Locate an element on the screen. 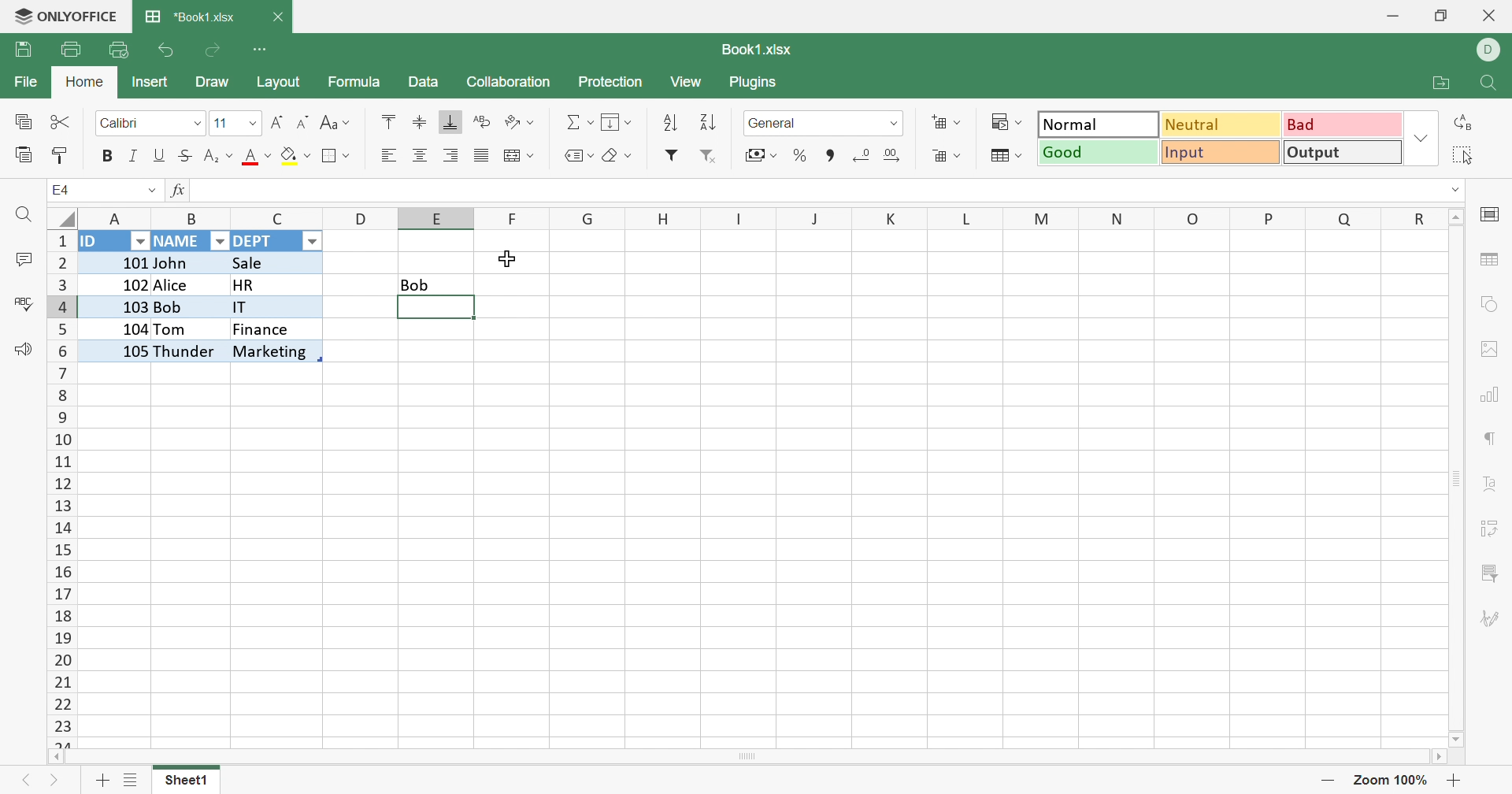  Zoom out is located at coordinates (1330, 780).